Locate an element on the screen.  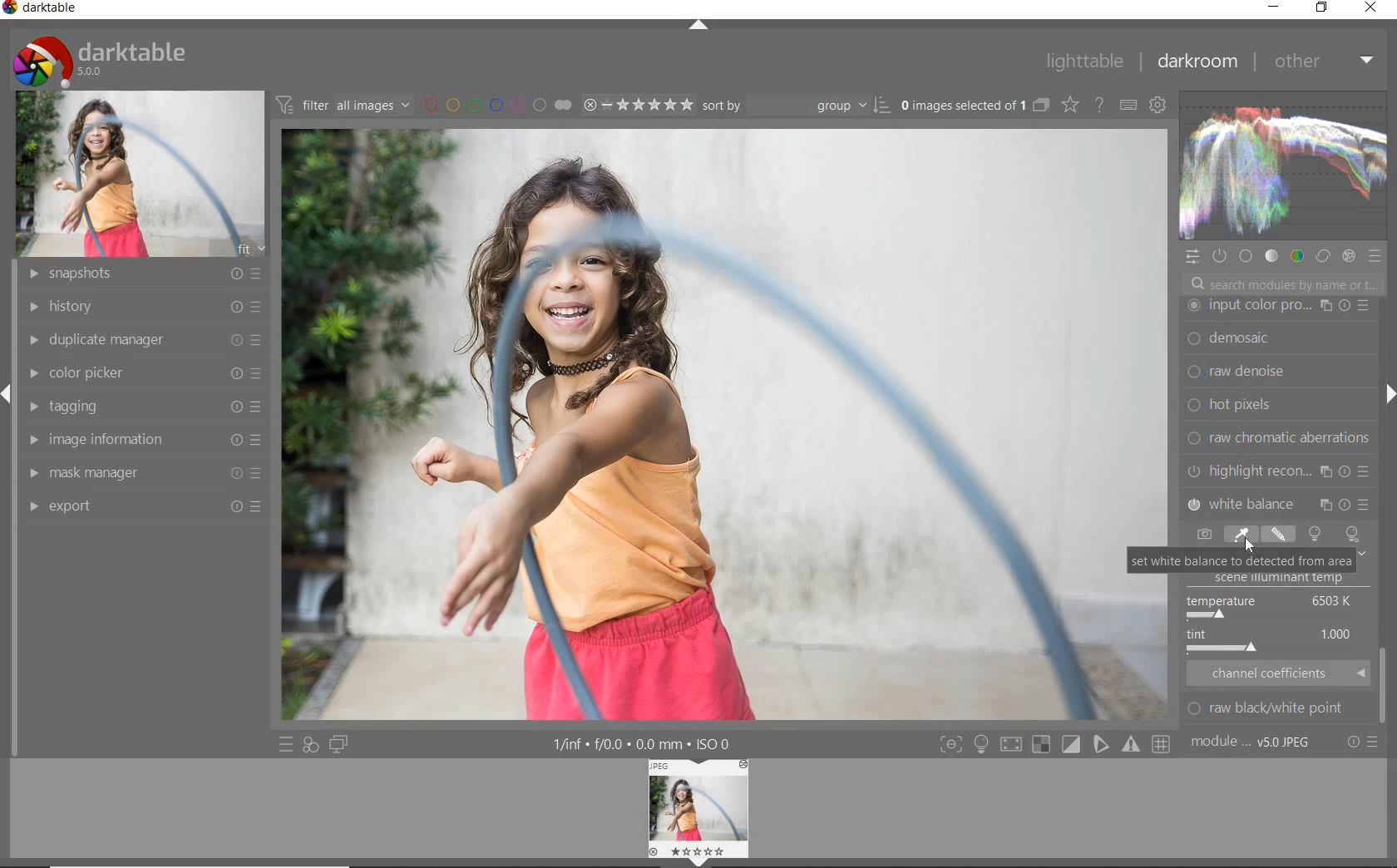
system logo & name is located at coordinates (103, 57).